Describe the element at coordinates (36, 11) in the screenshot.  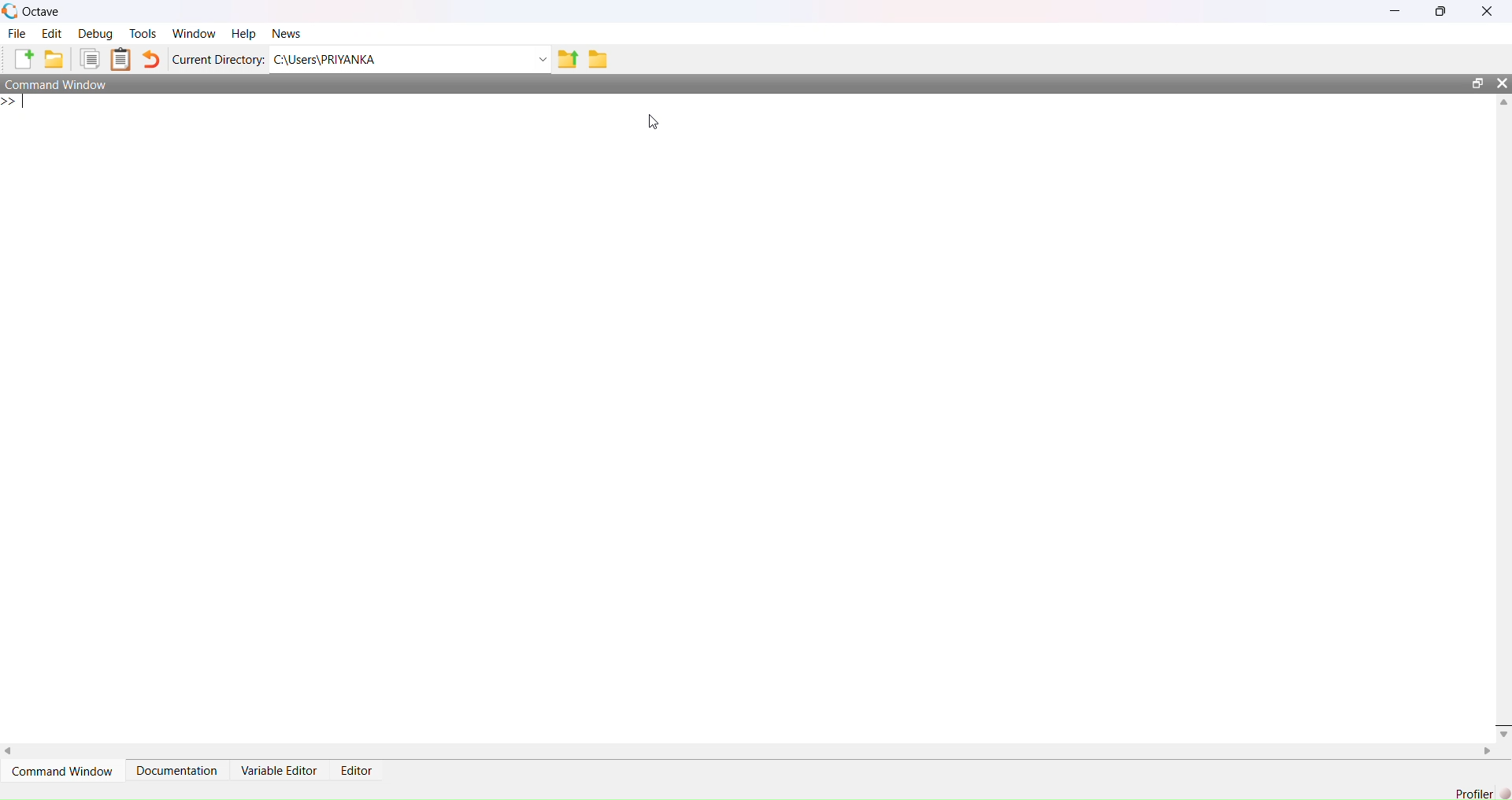
I see `Octave` at that location.